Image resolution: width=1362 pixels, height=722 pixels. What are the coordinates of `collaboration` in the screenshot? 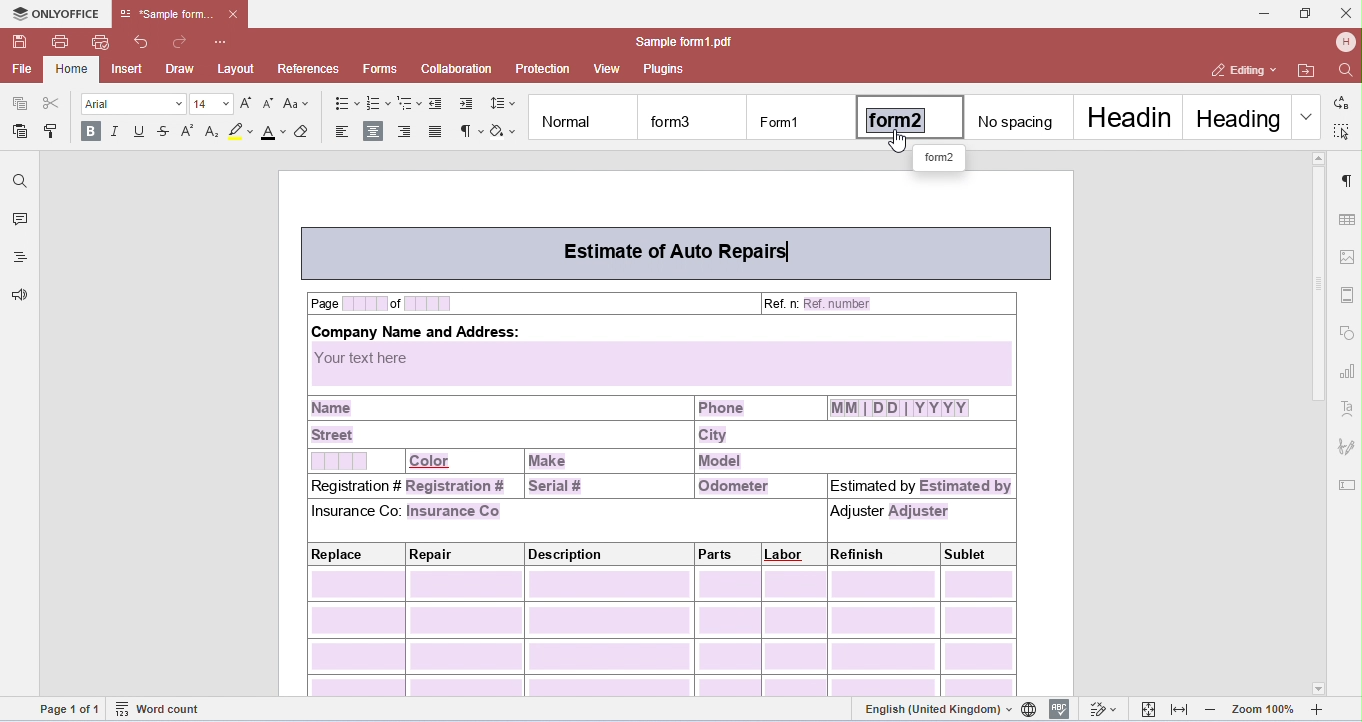 It's located at (457, 68).